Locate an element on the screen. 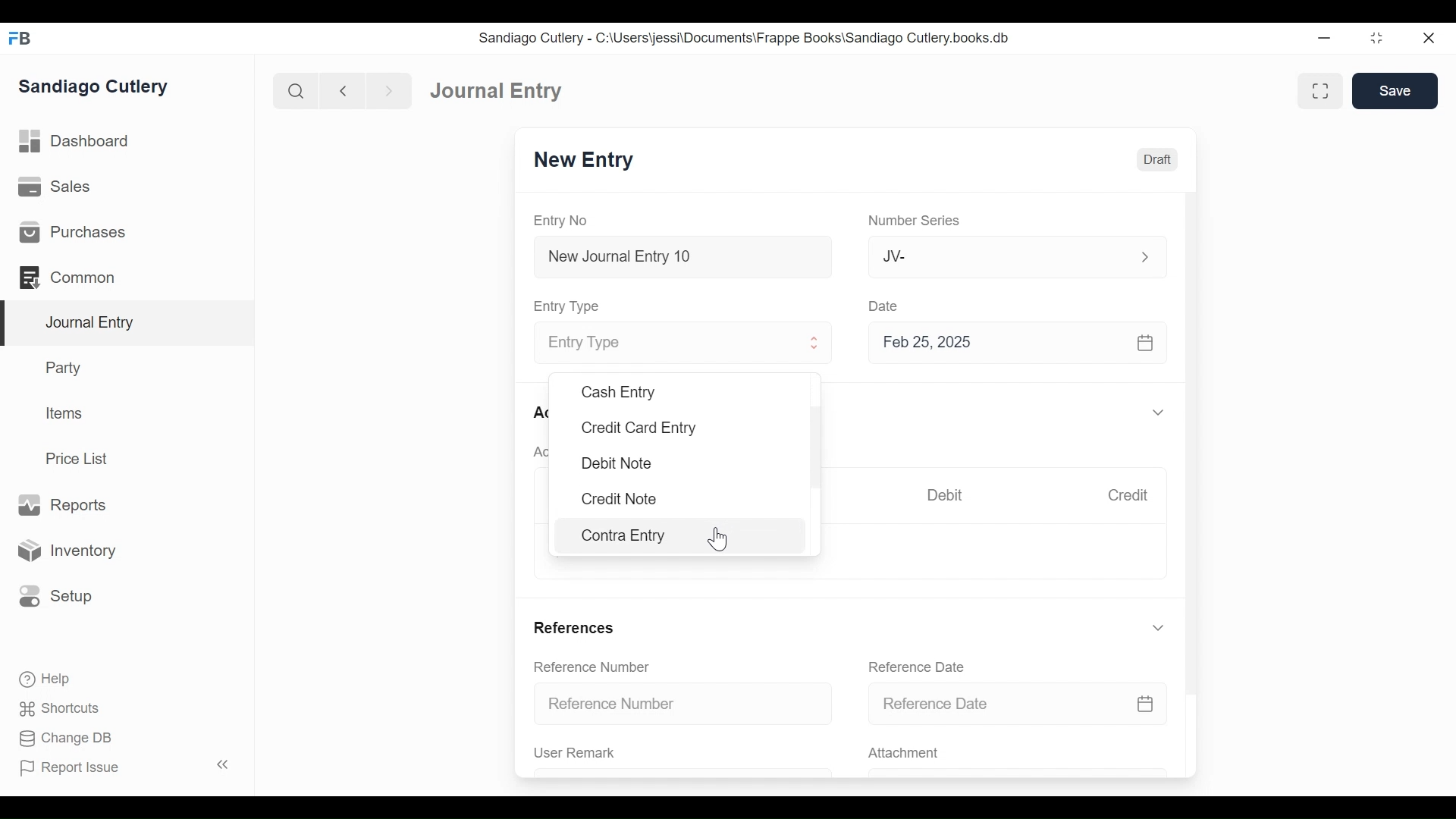 The width and height of the screenshot is (1456, 819). Cursor is located at coordinates (720, 539).